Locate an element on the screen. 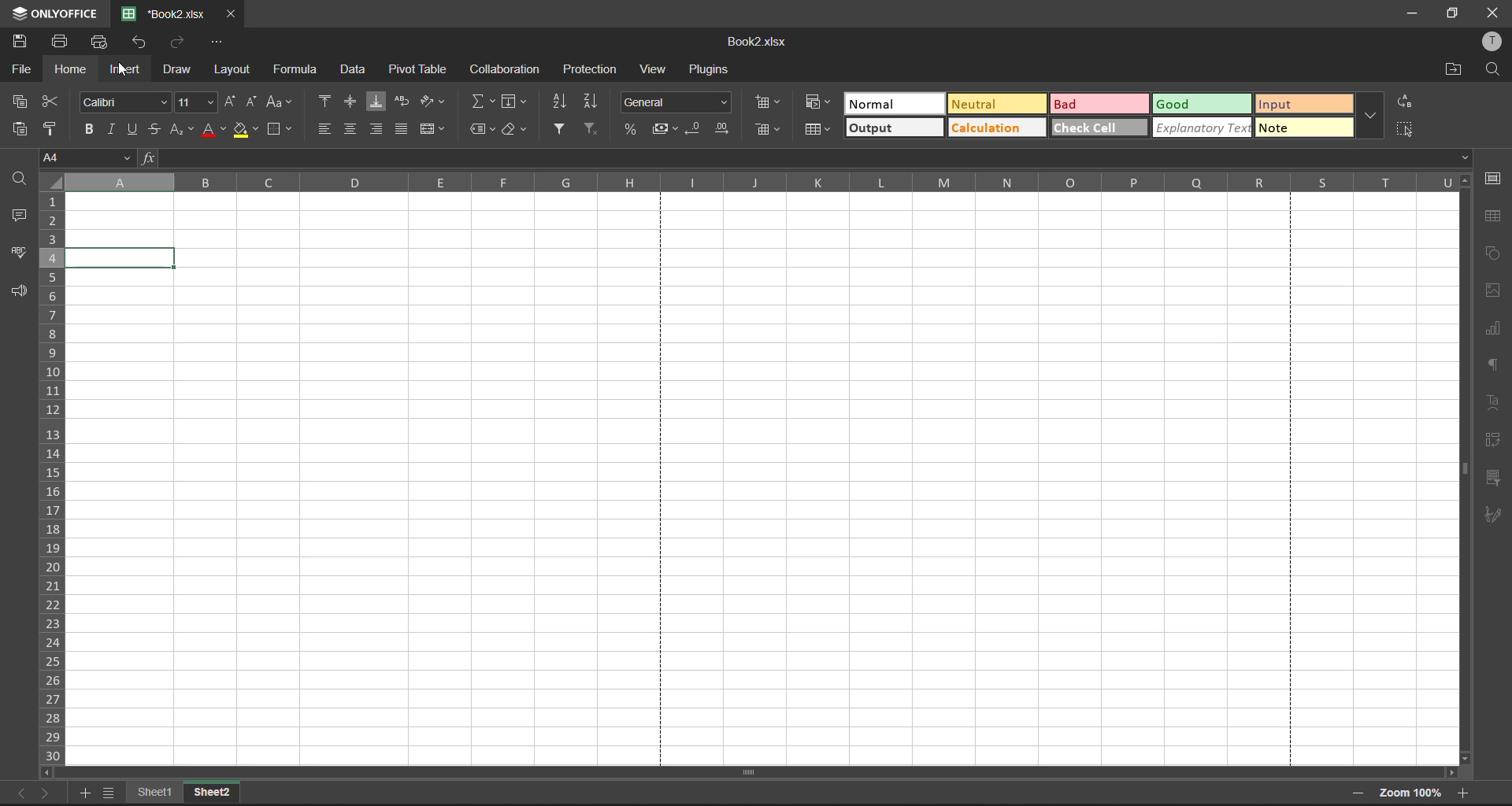 This screenshot has width=1512, height=806. neutral is located at coordinates (997, 104).